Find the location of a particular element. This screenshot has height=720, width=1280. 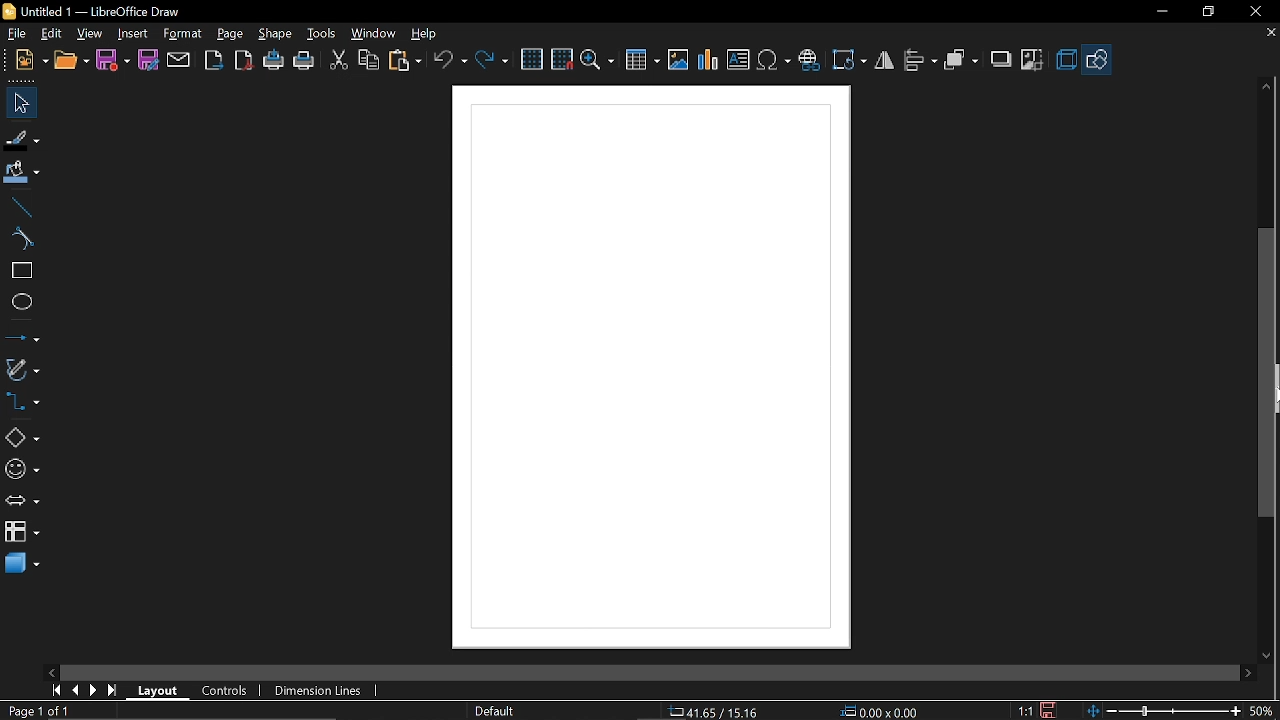

Move left is located at coordinates (51, 672).